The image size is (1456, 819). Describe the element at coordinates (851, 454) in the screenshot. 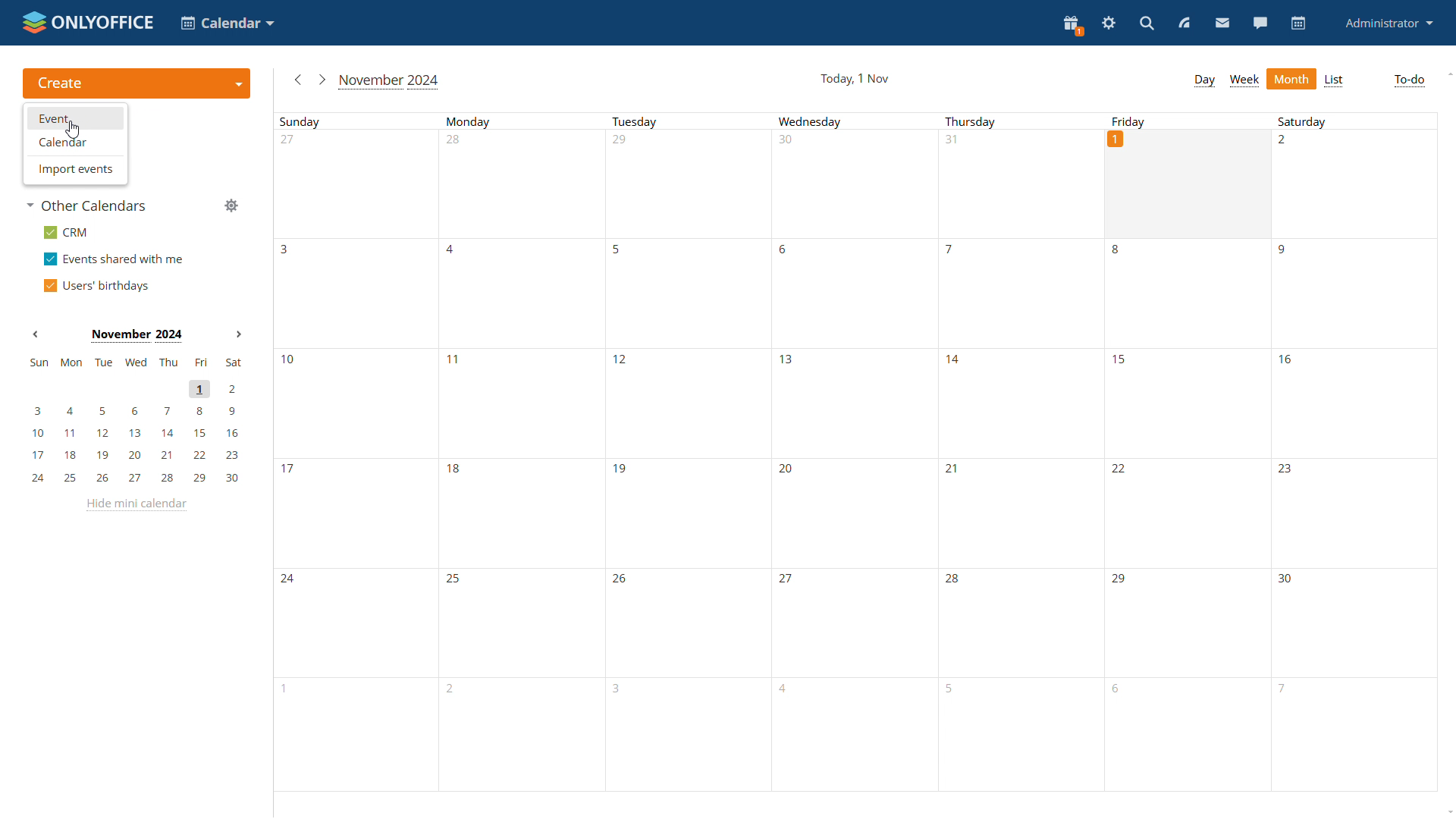

I see `Wednesday` at that location.